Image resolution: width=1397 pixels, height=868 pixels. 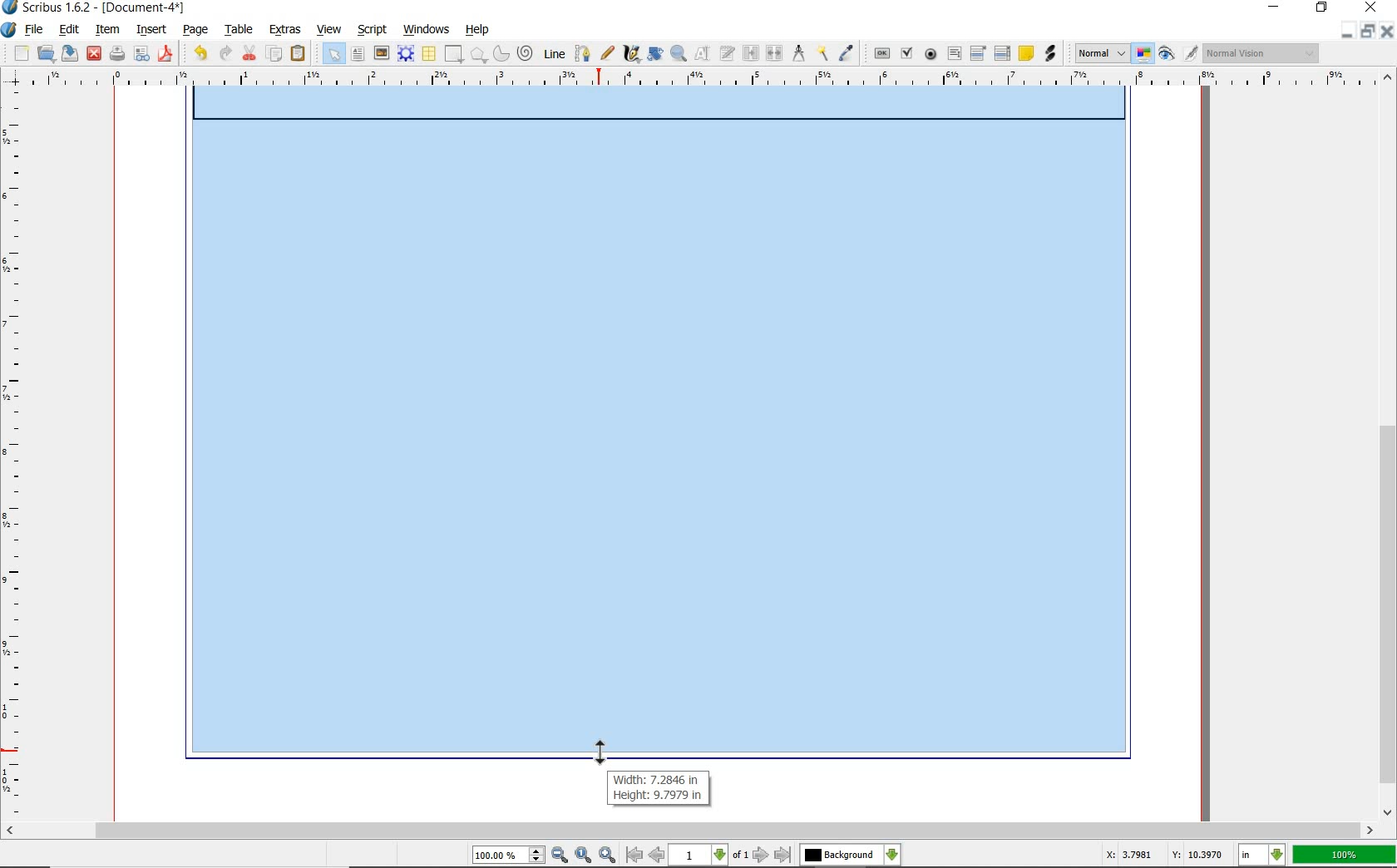 I want to click on file, so click(x=36, y=31).